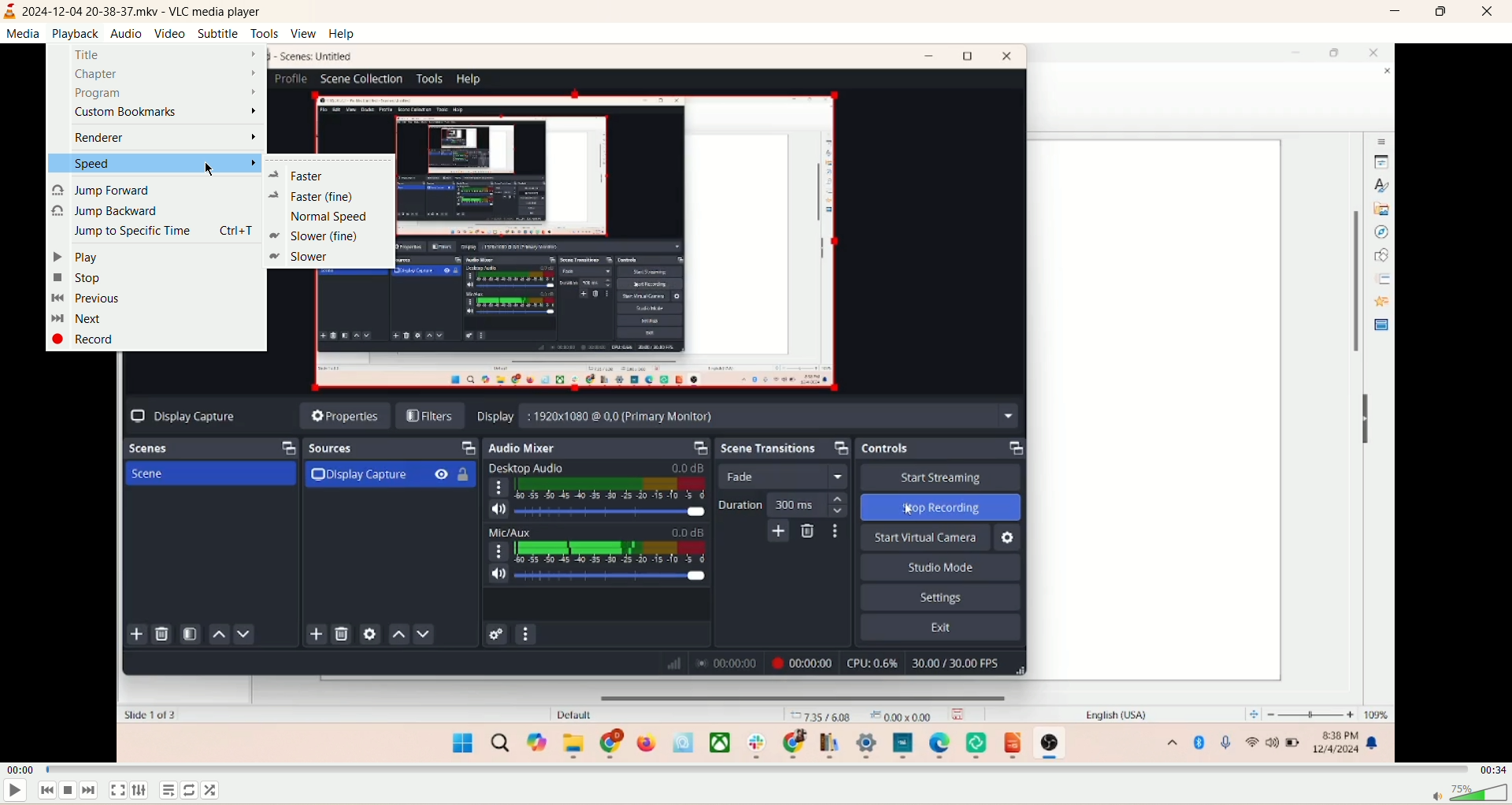 Image resolution: width=1512 pixels, height=805 pixels. I want to click on play, so click(84, 255).